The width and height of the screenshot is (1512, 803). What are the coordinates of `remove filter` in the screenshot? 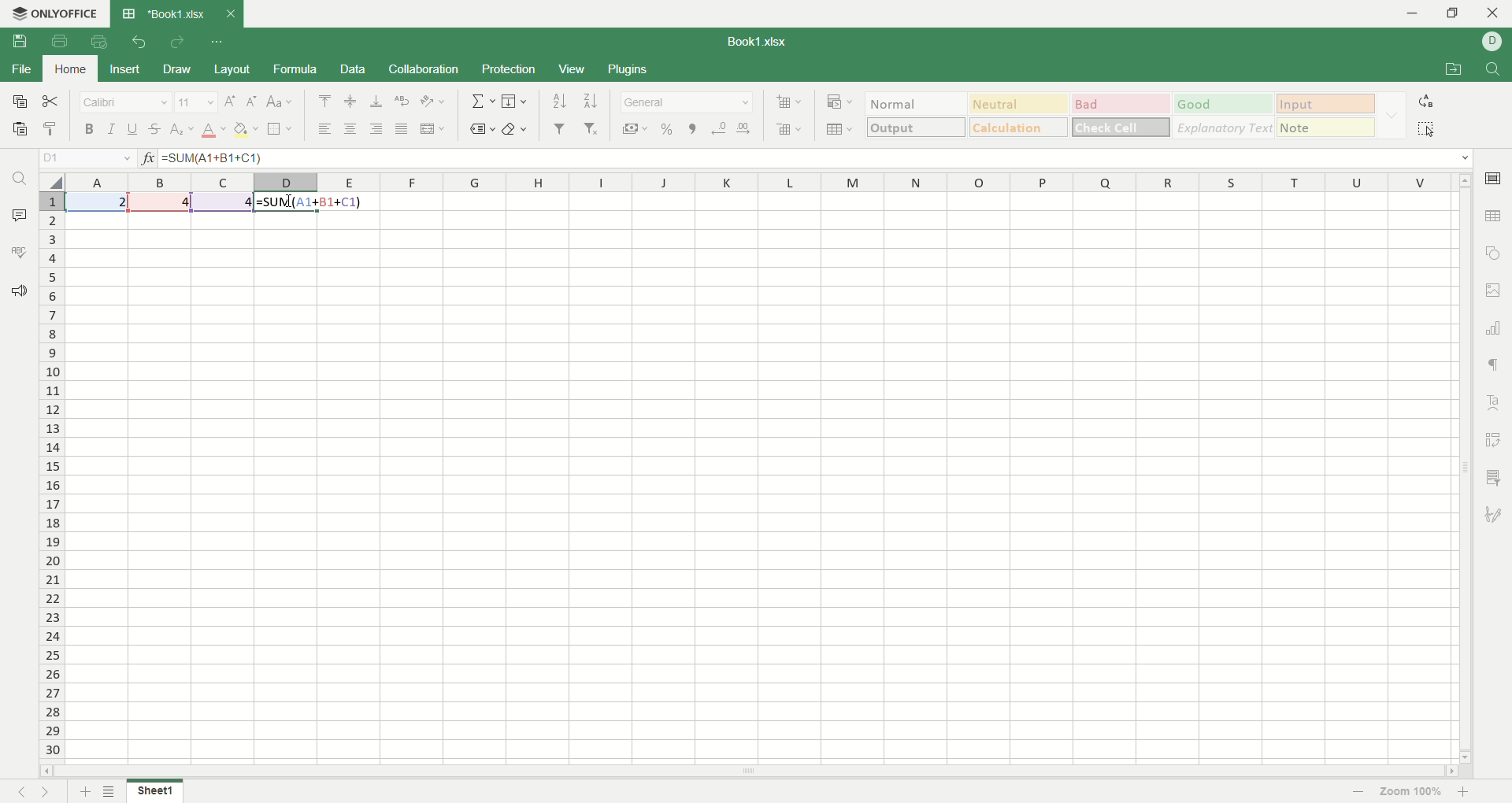 It's located at (591, 127).